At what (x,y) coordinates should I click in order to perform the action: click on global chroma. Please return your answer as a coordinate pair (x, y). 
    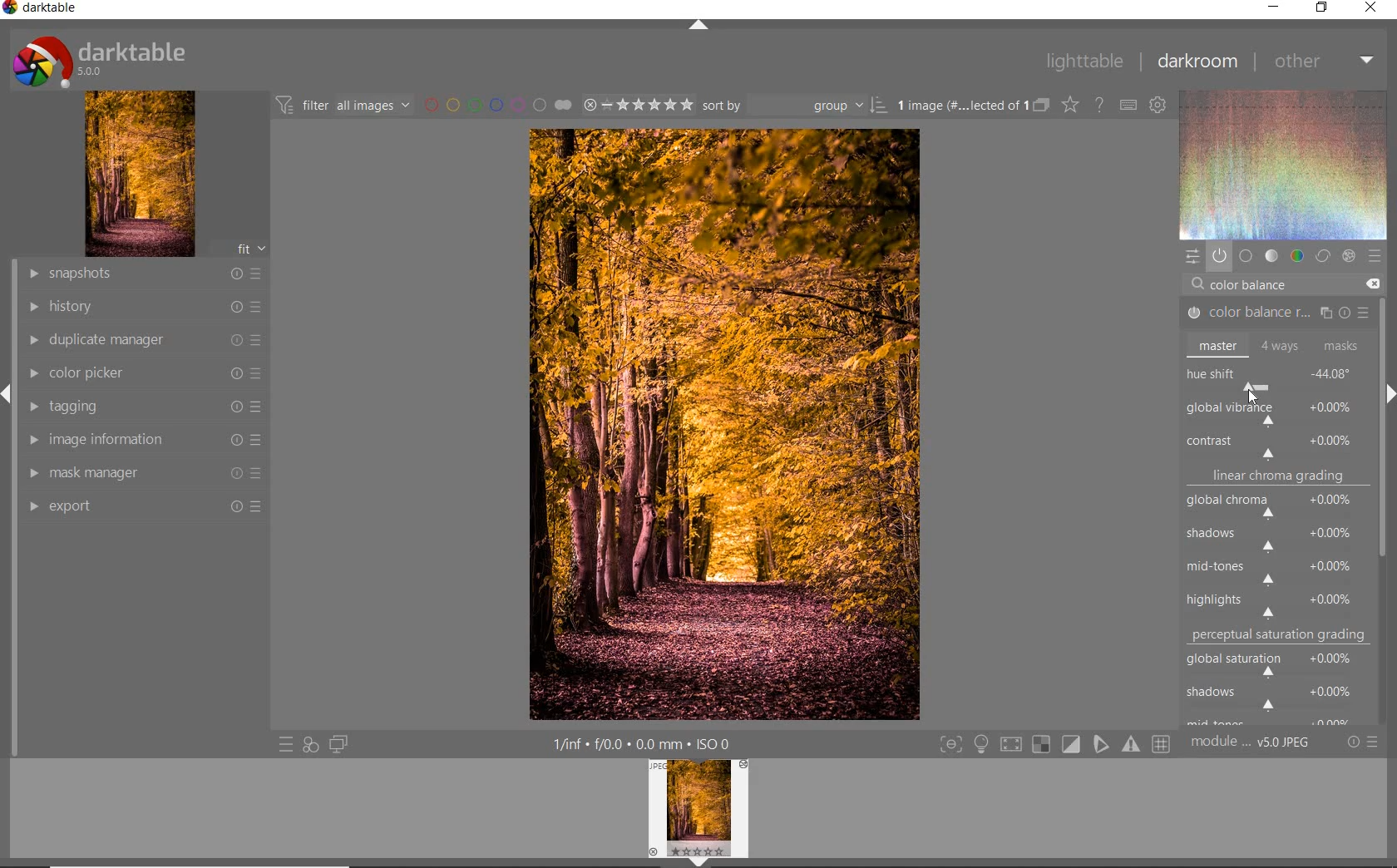
    Looking at the image, I should click on (1279, 508).